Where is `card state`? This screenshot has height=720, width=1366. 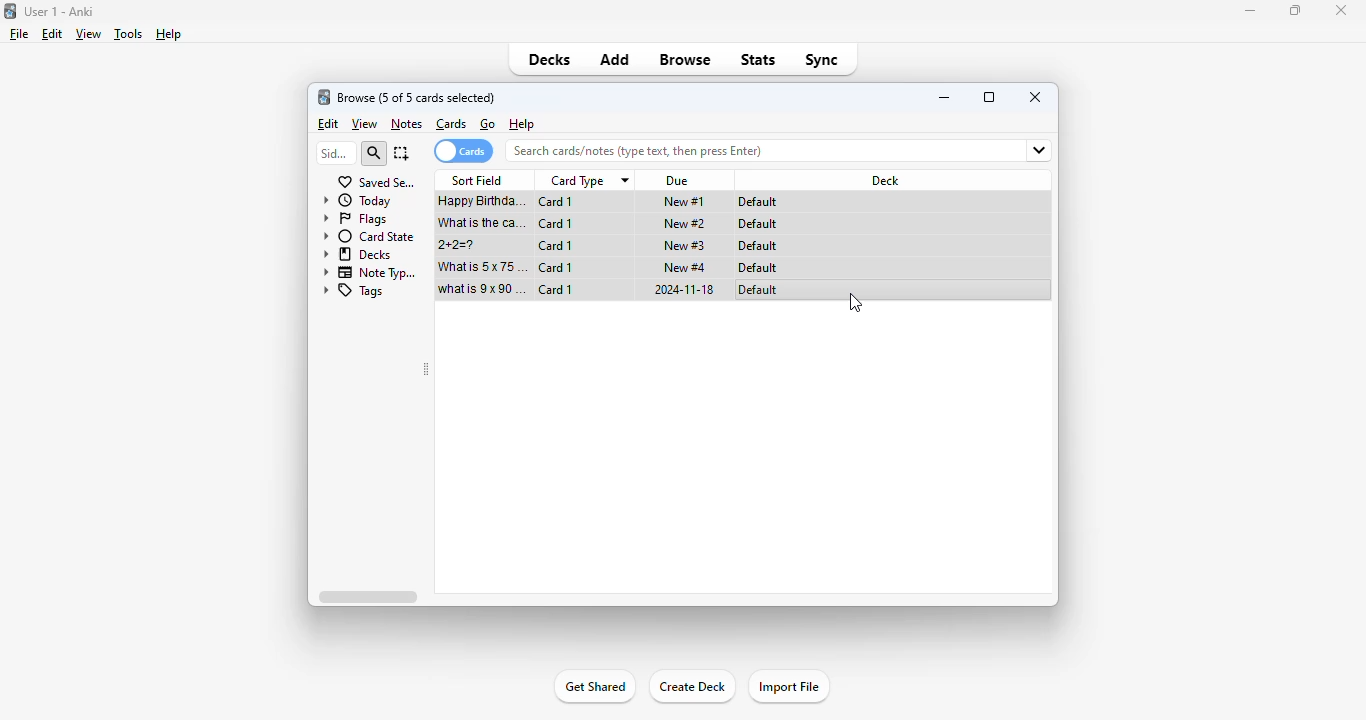 card state is located at coordinates (370, 237).